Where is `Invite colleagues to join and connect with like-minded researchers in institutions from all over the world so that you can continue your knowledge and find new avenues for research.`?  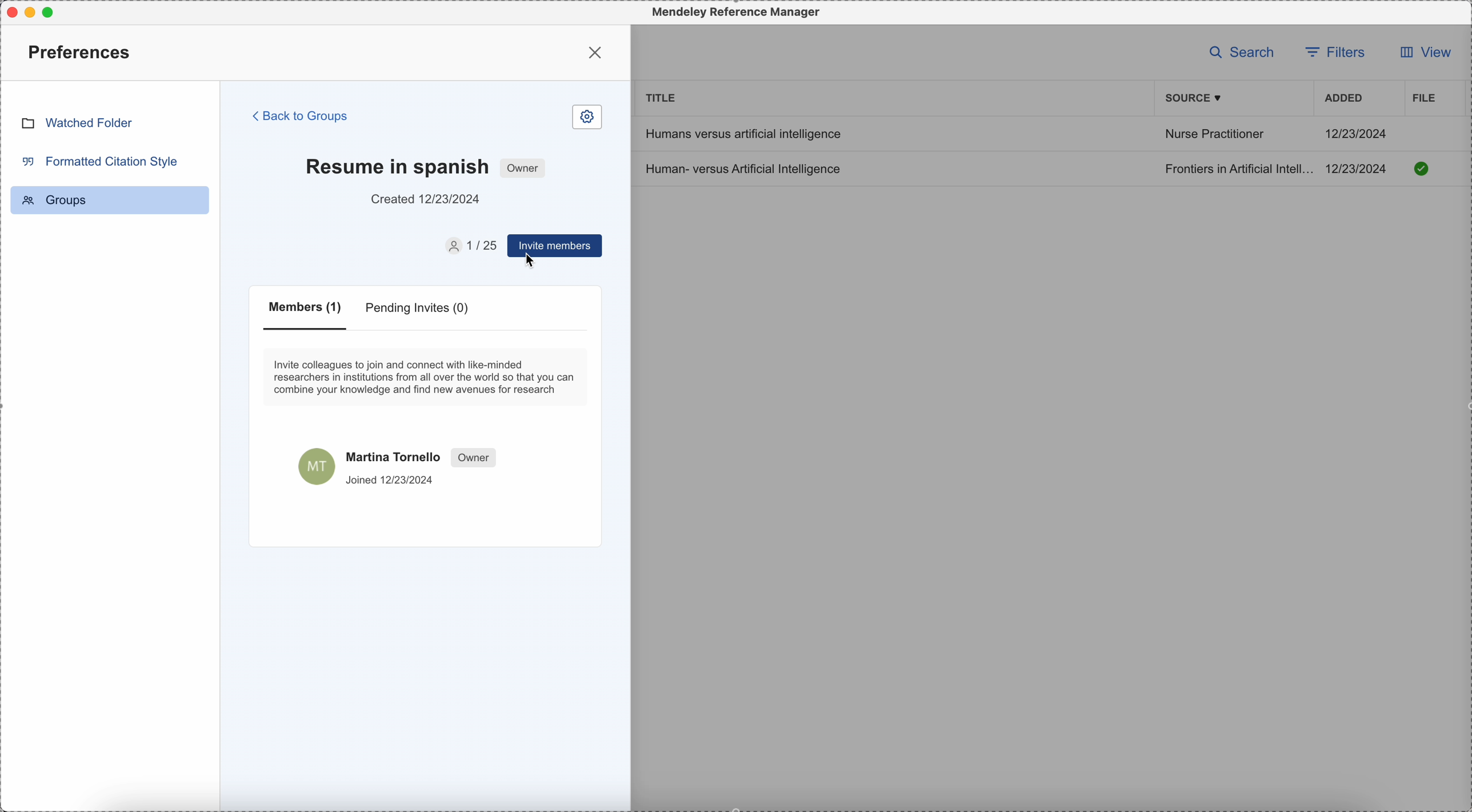 Invite colleagues to join and connect with like-minded researchers in institutions from all over the world so that you can continue your knowledge and find new avenues for research. is located at coordinates (426, 377).